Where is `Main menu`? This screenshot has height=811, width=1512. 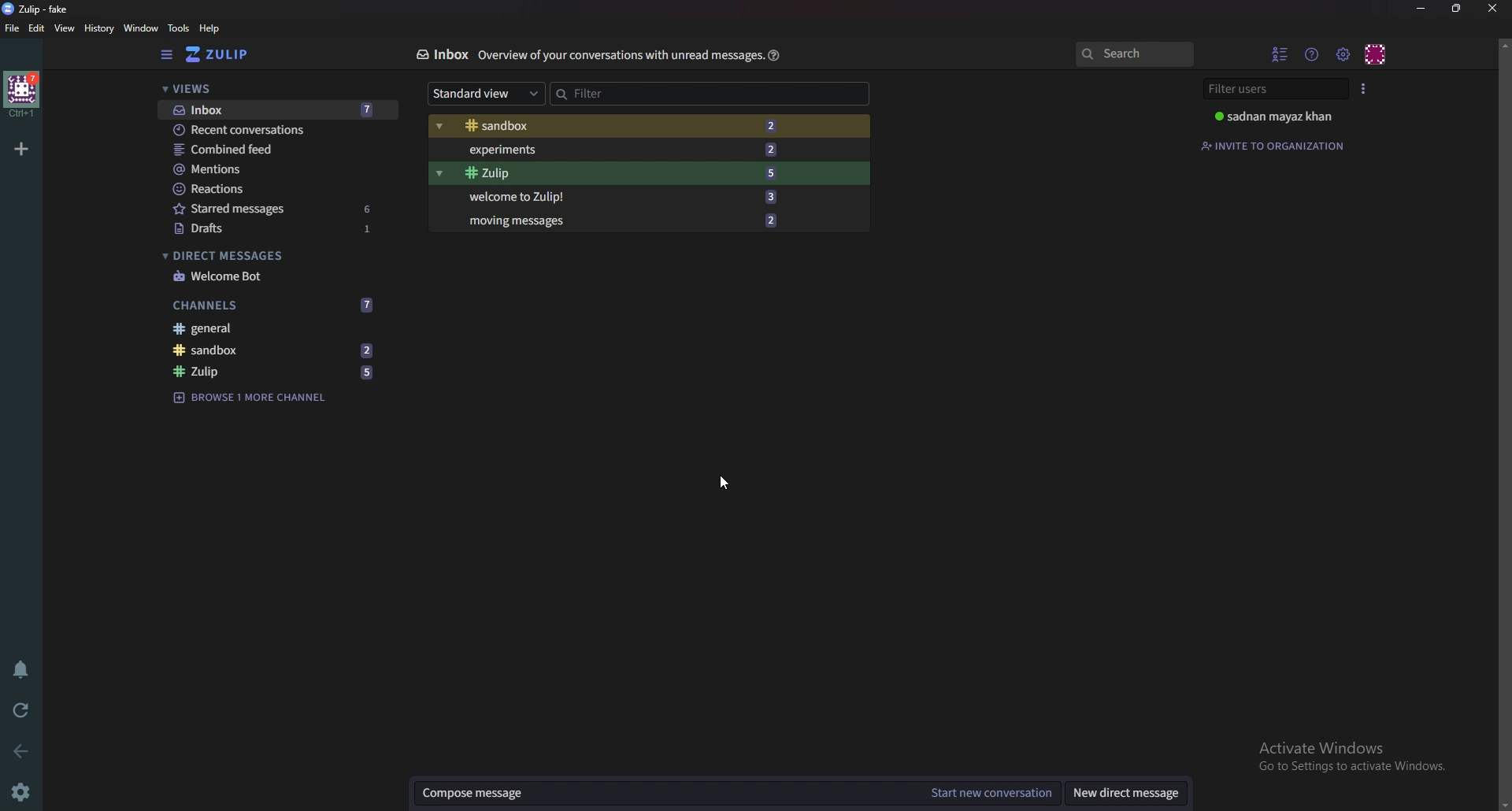
Main menu is located at coordinates (1343, 55).